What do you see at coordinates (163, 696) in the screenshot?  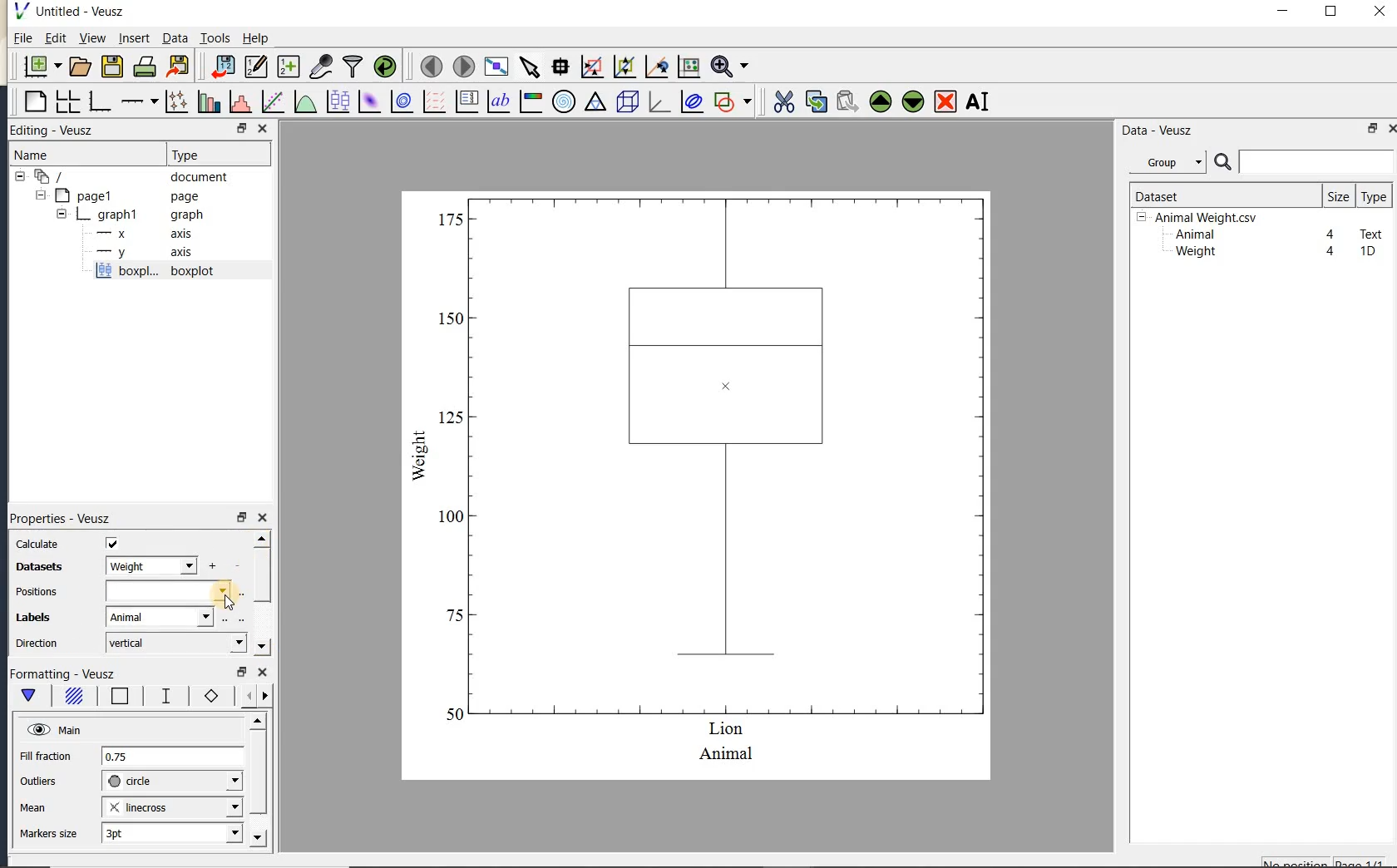 I see `whisker line` at bounding box center [163, 696].